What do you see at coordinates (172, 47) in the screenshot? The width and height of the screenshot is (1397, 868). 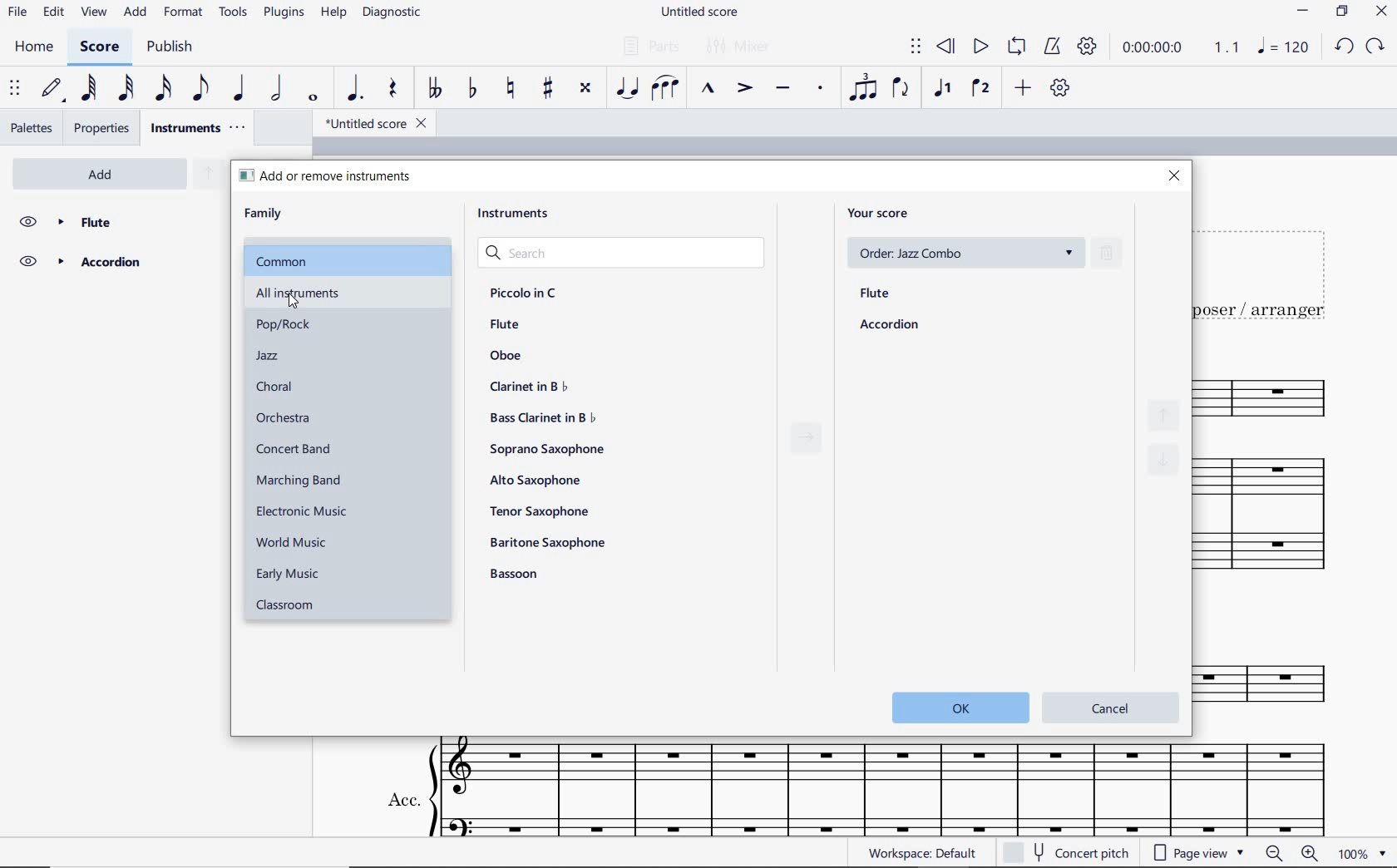 I see `PUBLISH` at bounding box center [172, 47].